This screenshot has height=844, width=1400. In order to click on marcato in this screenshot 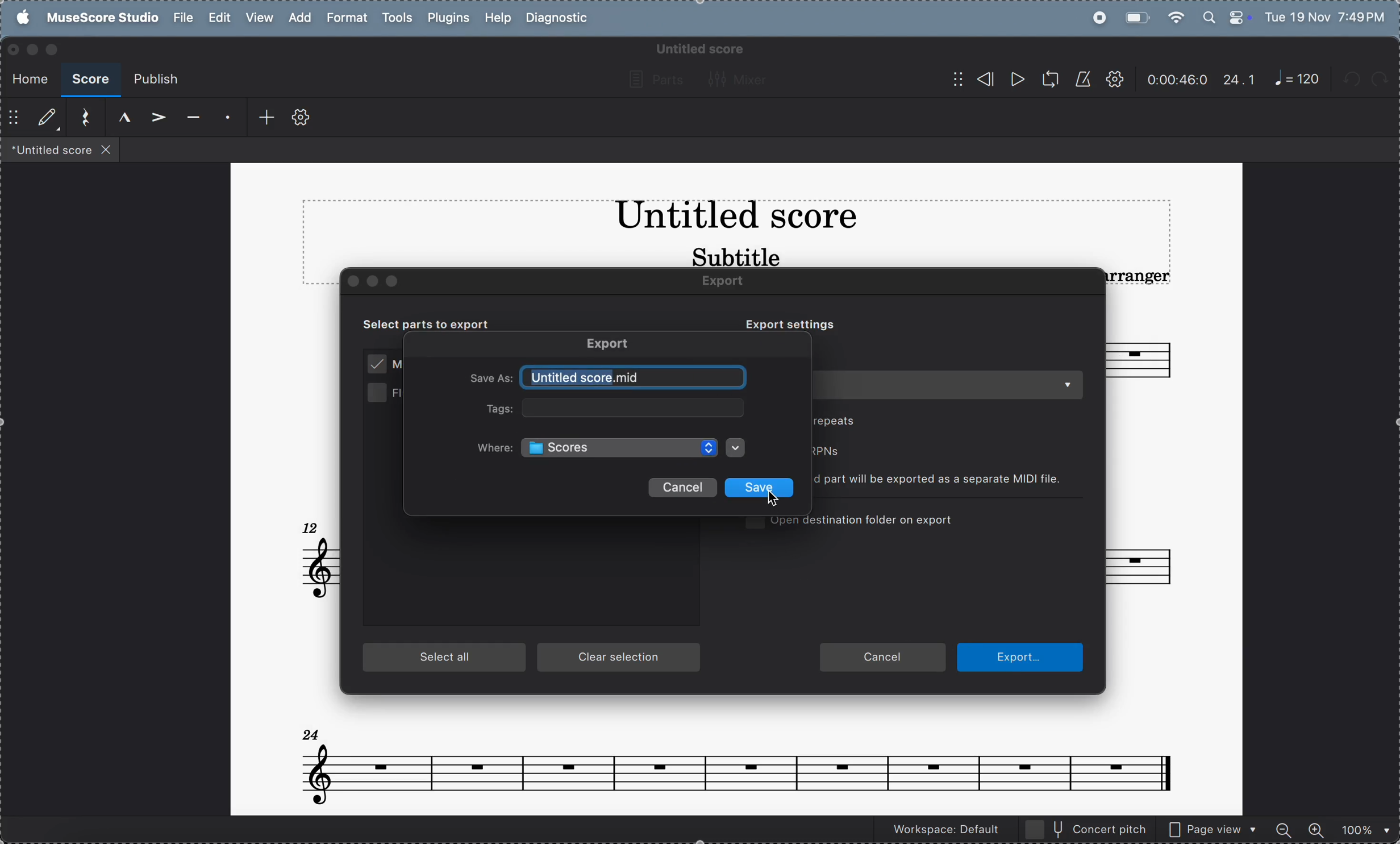, I will do `click(119, 118)`.